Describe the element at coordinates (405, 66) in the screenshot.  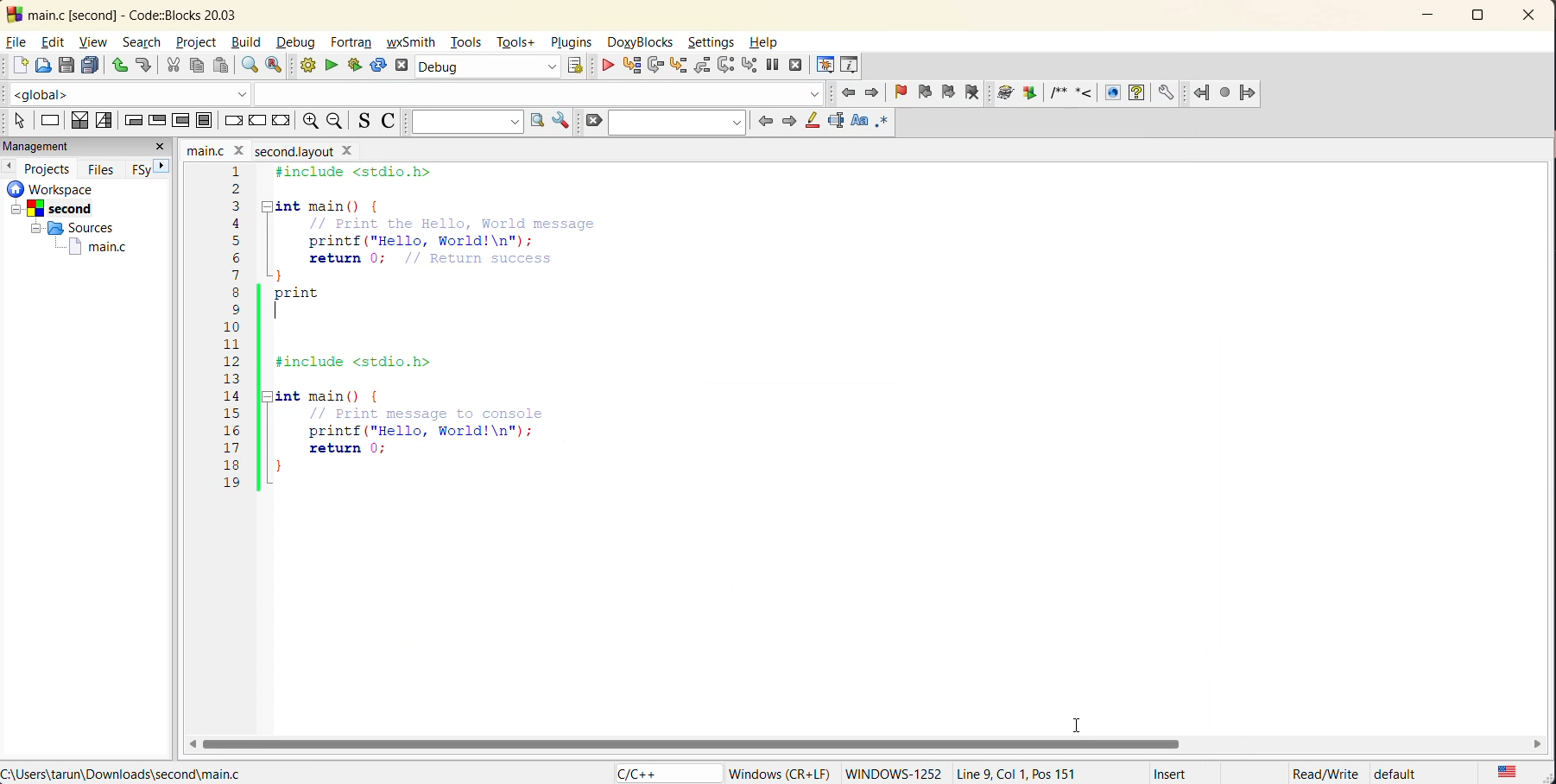
I see `abort` at that location.